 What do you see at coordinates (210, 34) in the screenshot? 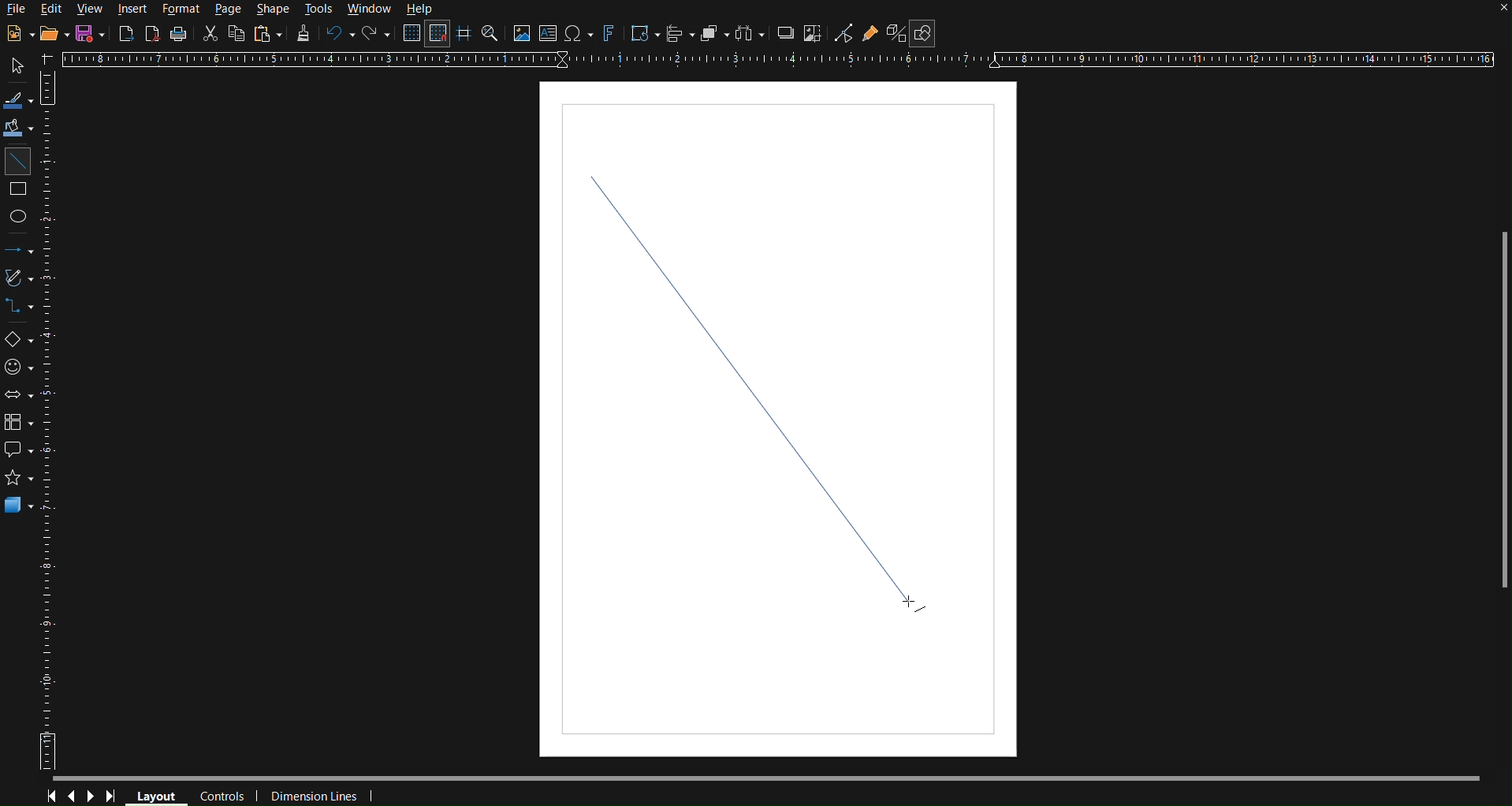
I see `Cut` at bounding box center [210, 34].